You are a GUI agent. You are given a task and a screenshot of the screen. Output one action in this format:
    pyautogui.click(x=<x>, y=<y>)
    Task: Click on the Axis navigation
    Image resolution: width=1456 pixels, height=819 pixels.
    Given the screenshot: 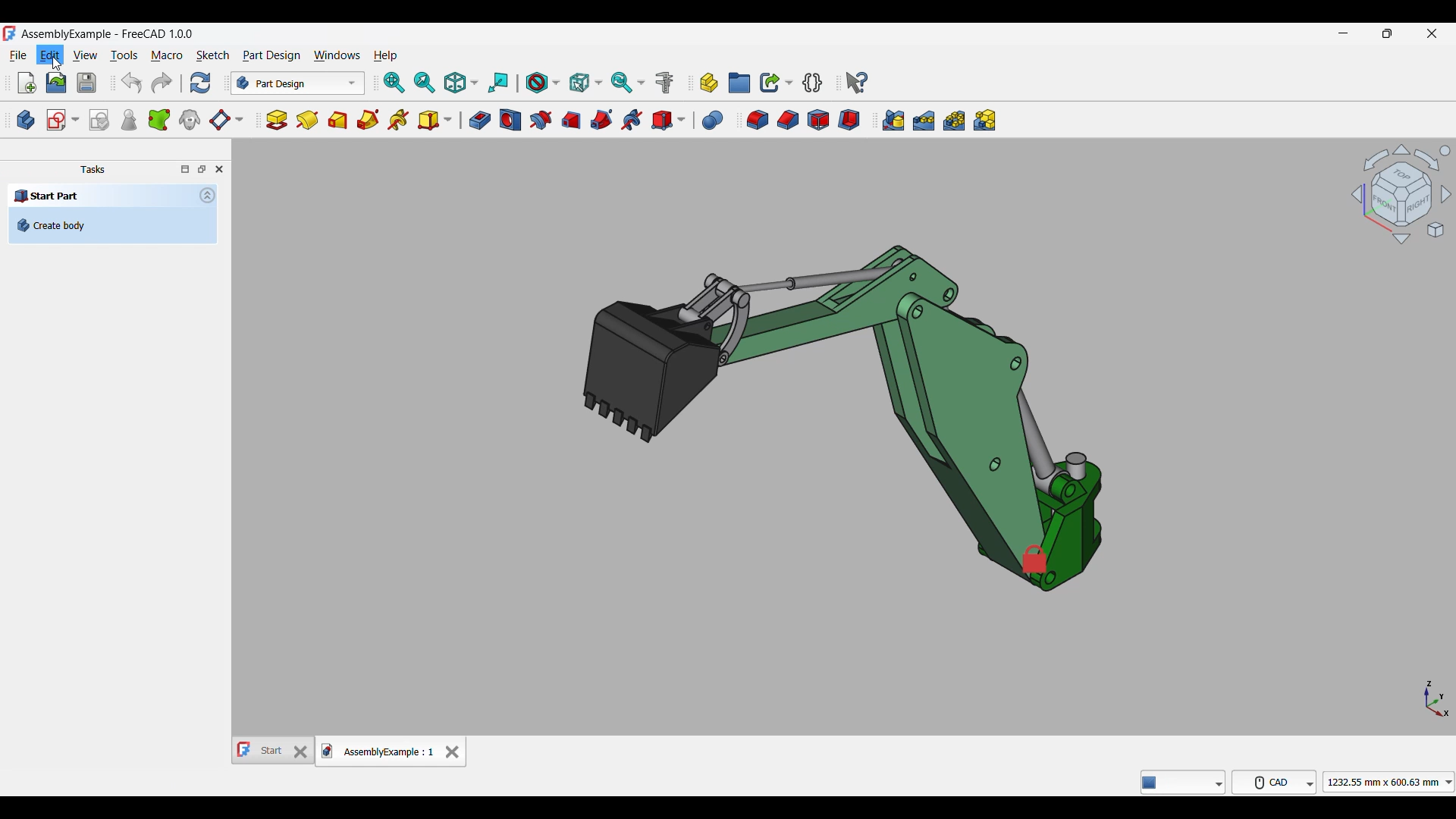 What is the action you would take?
    pyautogui.click(x=1438, y=699)
    